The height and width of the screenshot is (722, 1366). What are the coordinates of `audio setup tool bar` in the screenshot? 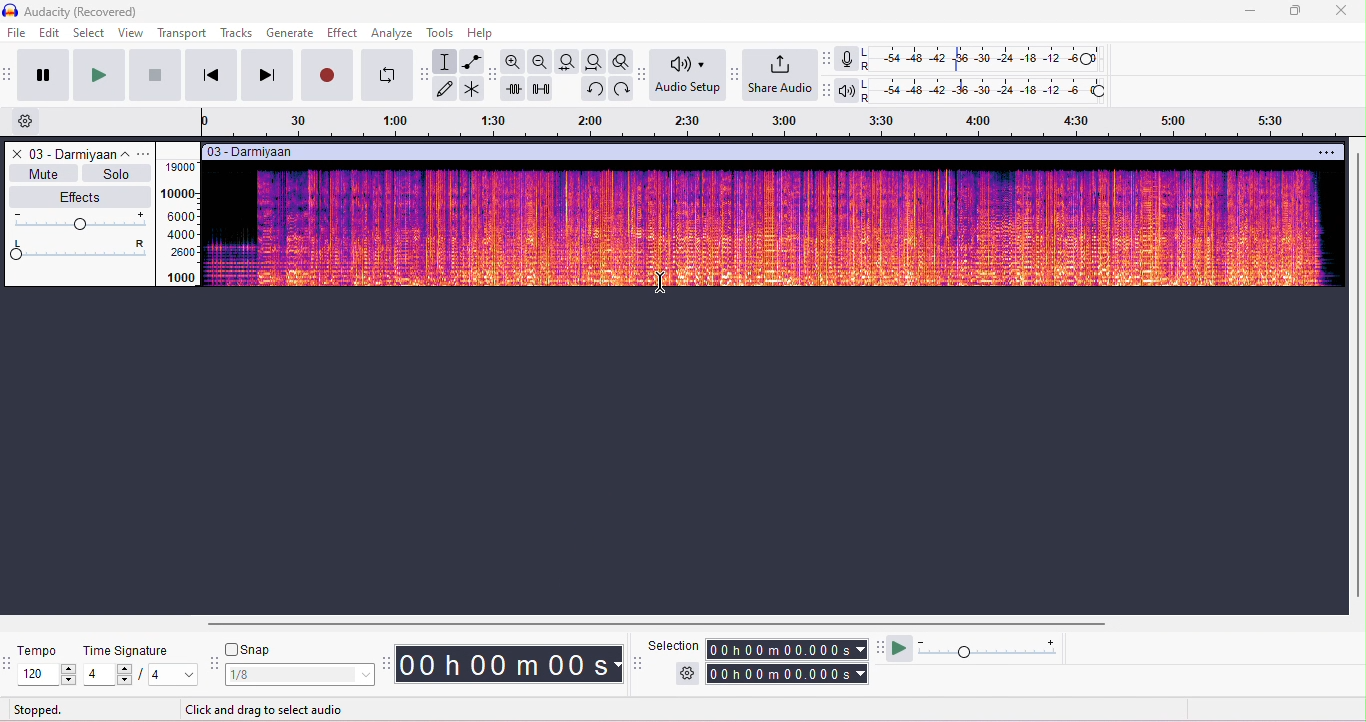 It's located at (640, 74).